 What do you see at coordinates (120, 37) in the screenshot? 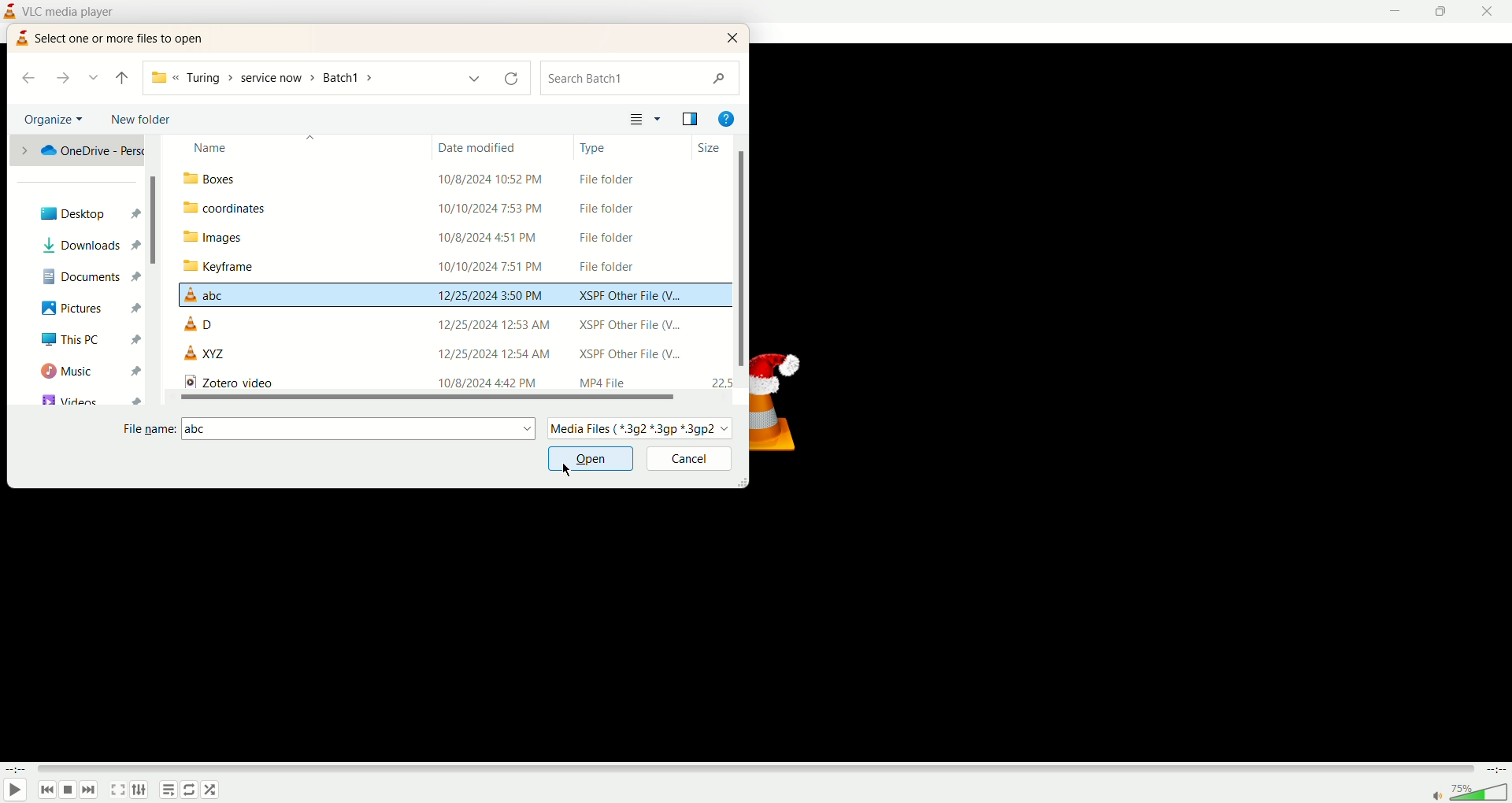
I see `text` at bounding box center [120, 37].